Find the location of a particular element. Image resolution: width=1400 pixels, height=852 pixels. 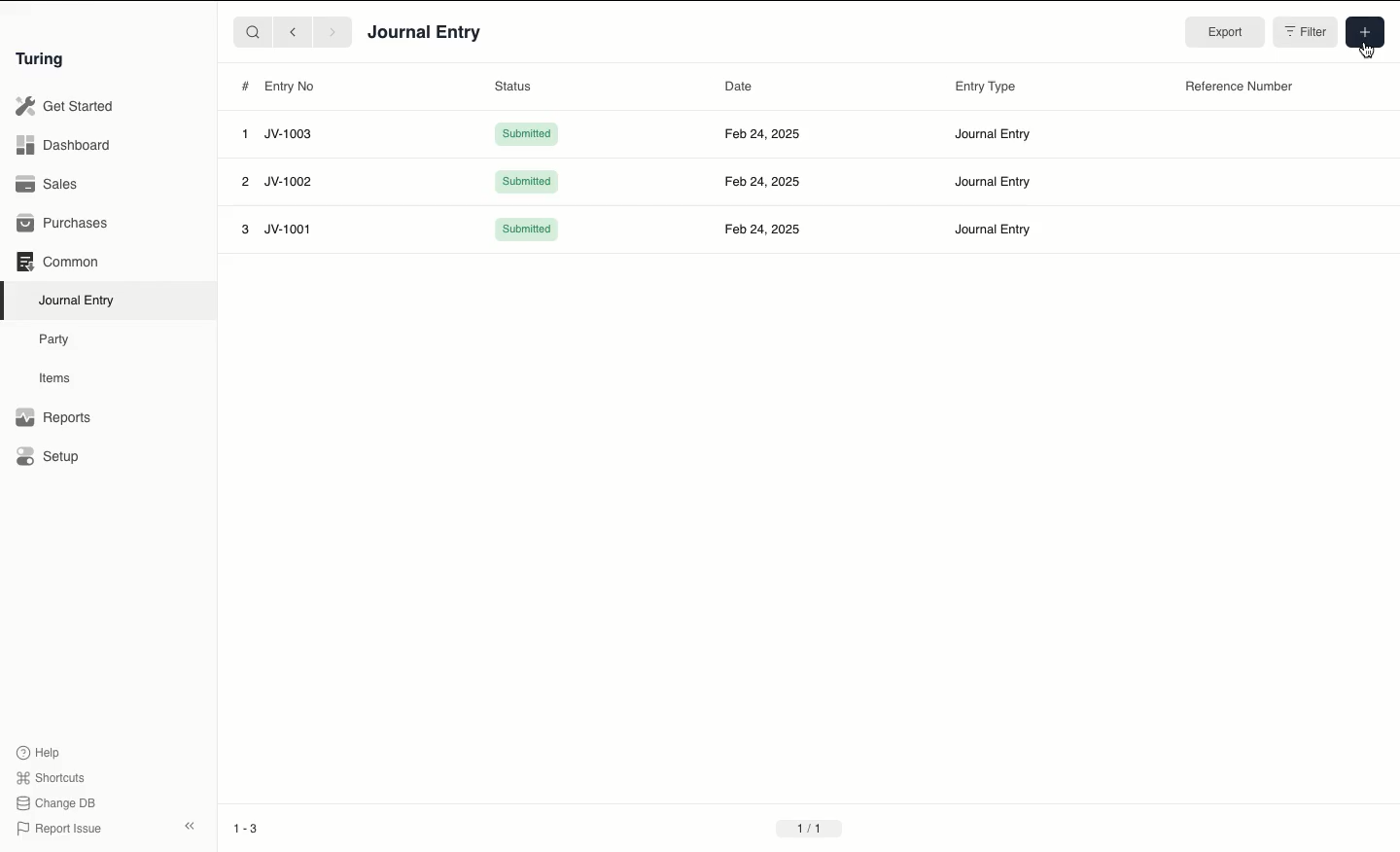

JV-1001 is located at coordinates (288, 230).